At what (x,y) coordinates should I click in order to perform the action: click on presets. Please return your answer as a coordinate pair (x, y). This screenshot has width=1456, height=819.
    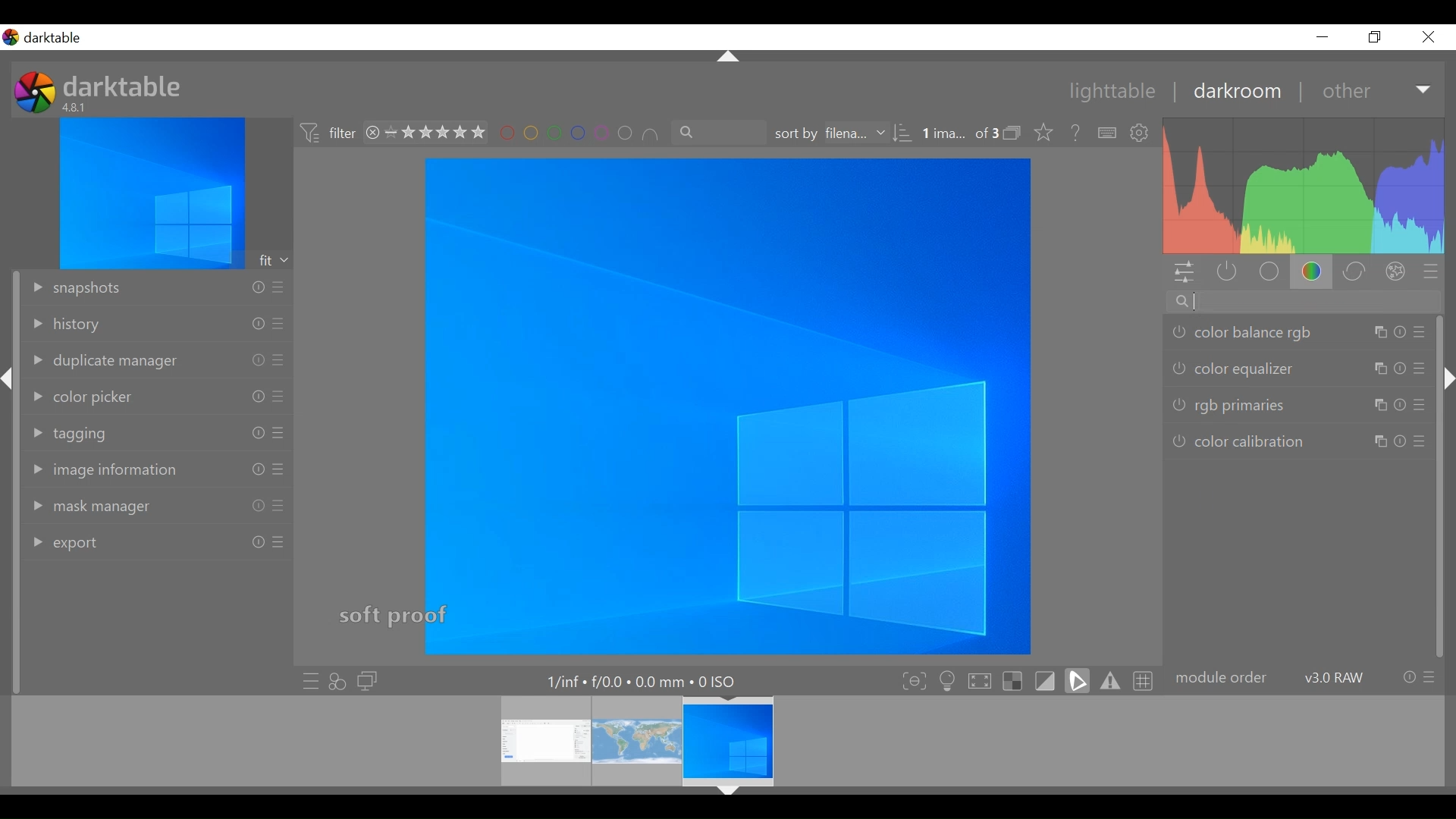
    Looking at the image, I should click on (1419, 367).